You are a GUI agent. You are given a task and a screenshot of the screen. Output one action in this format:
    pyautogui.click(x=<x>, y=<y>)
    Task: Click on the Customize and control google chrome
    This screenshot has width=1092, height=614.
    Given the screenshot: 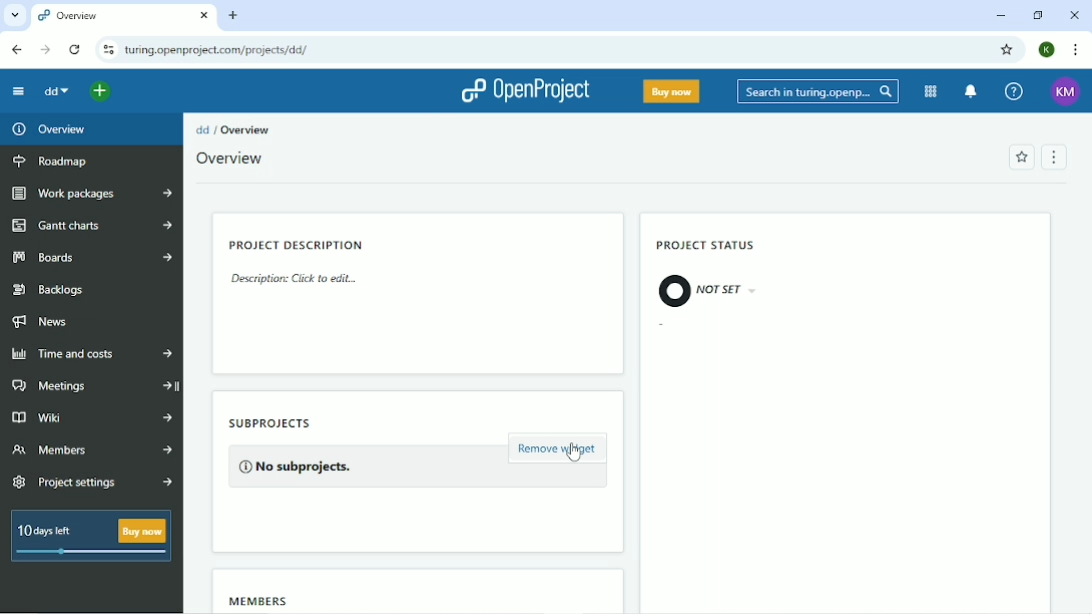 What is the action you would take?
    pyautogui.click(x=1074, y=51)
    